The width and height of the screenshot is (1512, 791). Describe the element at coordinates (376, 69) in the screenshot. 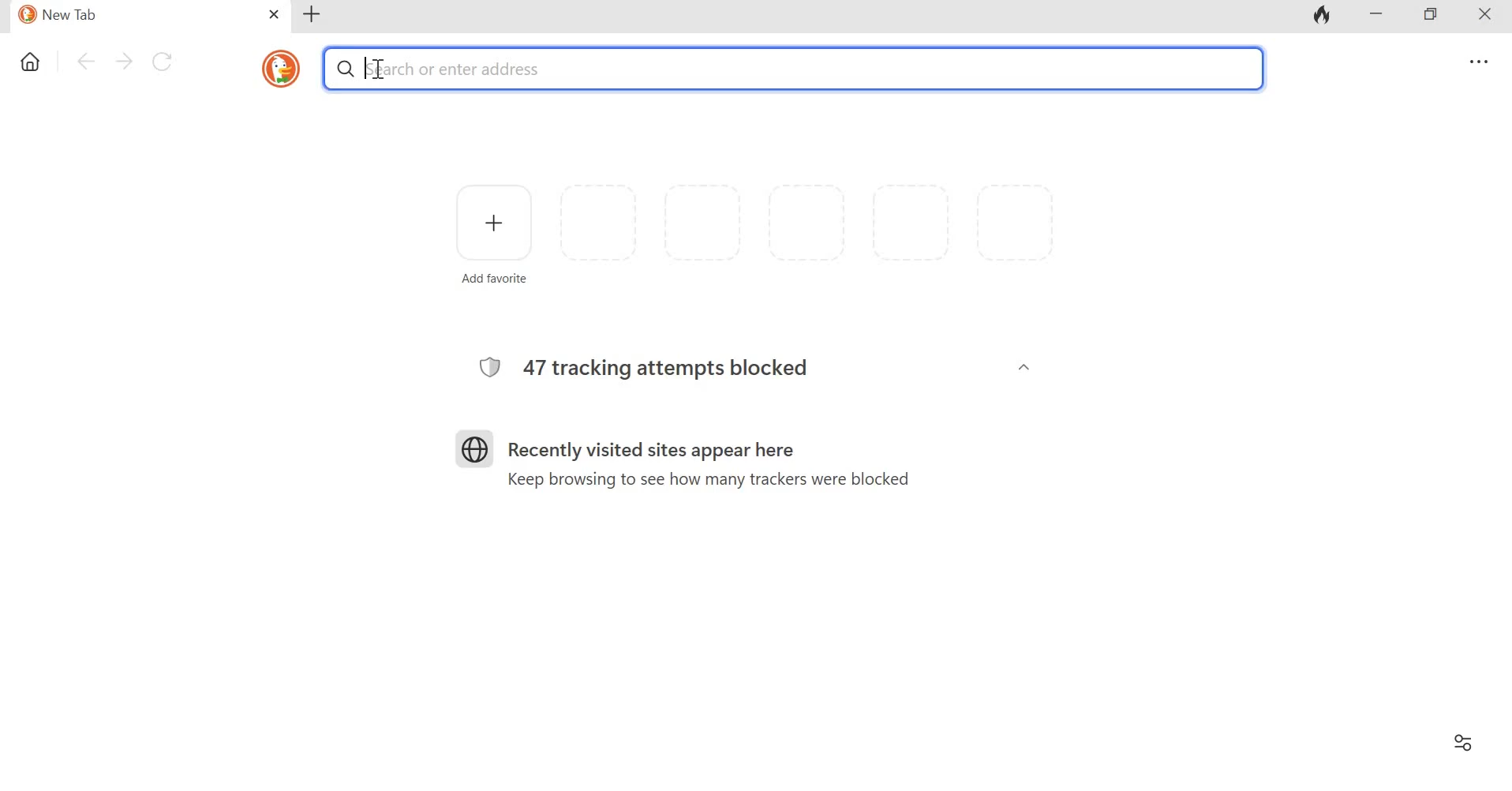

I see `cursor` at that location.